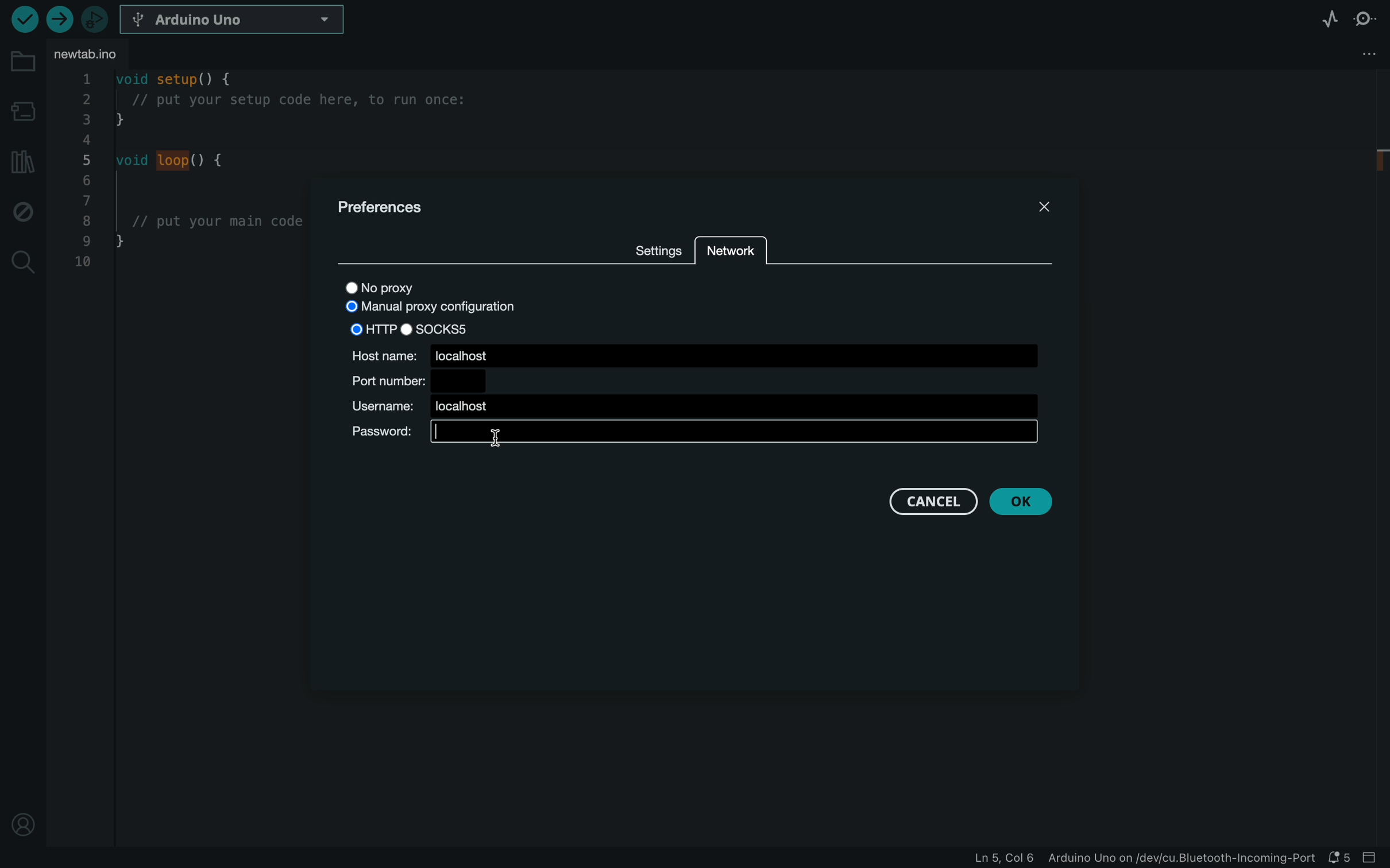 The image size is (1390, 868). I want to click on cancel, so click(930, 502).